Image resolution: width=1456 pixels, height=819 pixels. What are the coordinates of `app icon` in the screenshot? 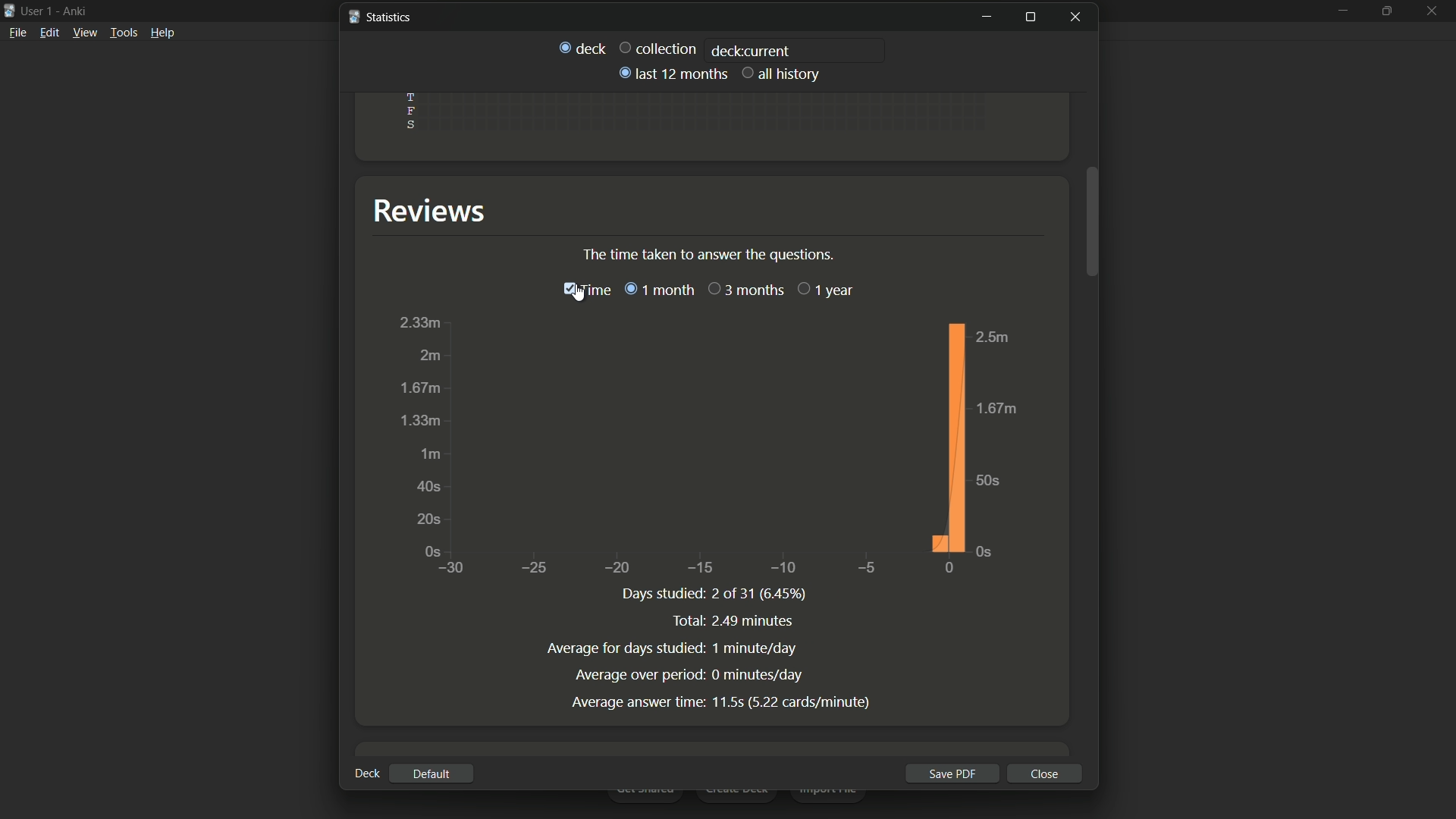 It's located at (9, 9).